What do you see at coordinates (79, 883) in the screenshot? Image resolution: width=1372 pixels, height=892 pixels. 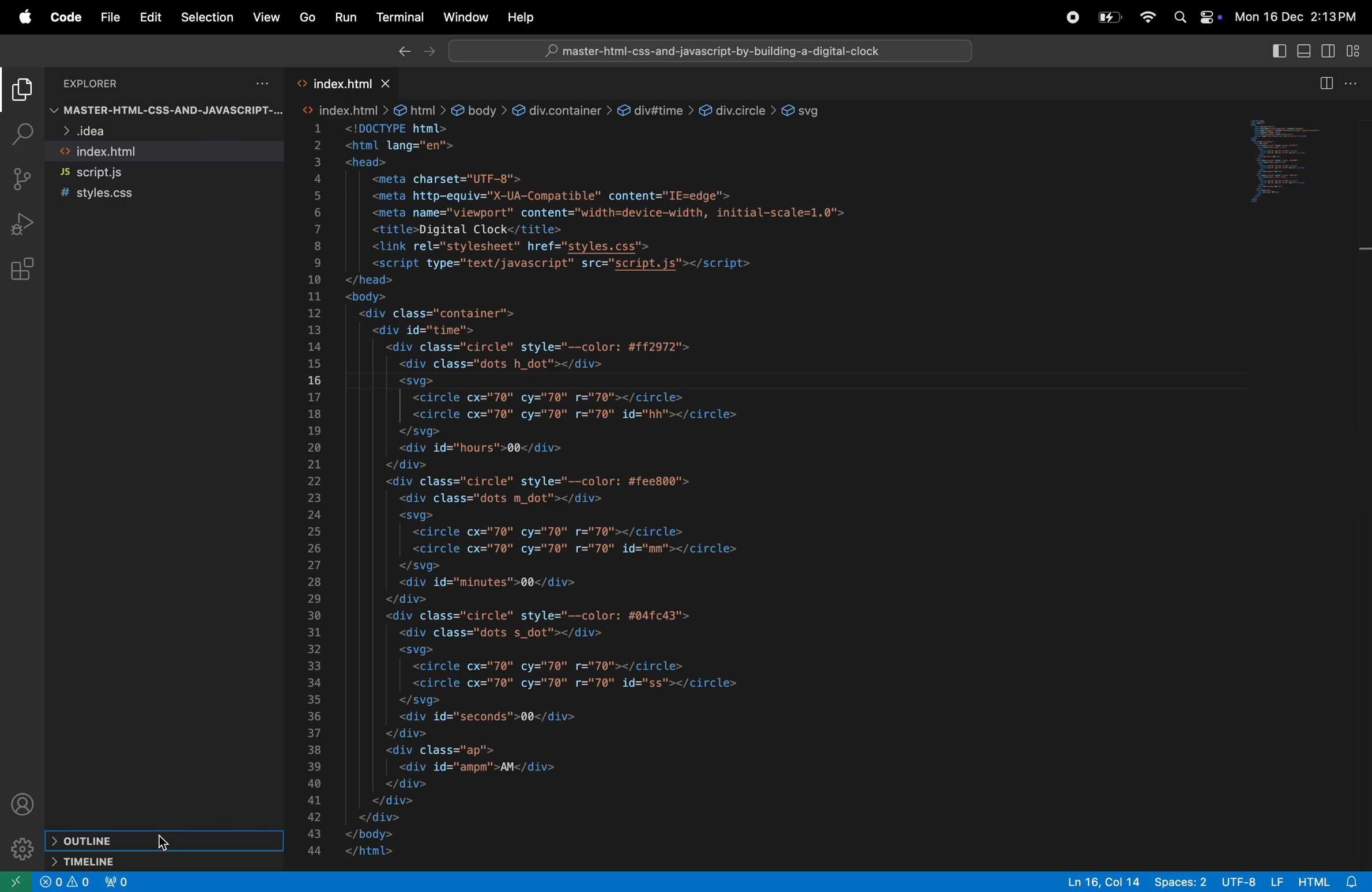 I see `alerts` at bounding box center [79, 883].